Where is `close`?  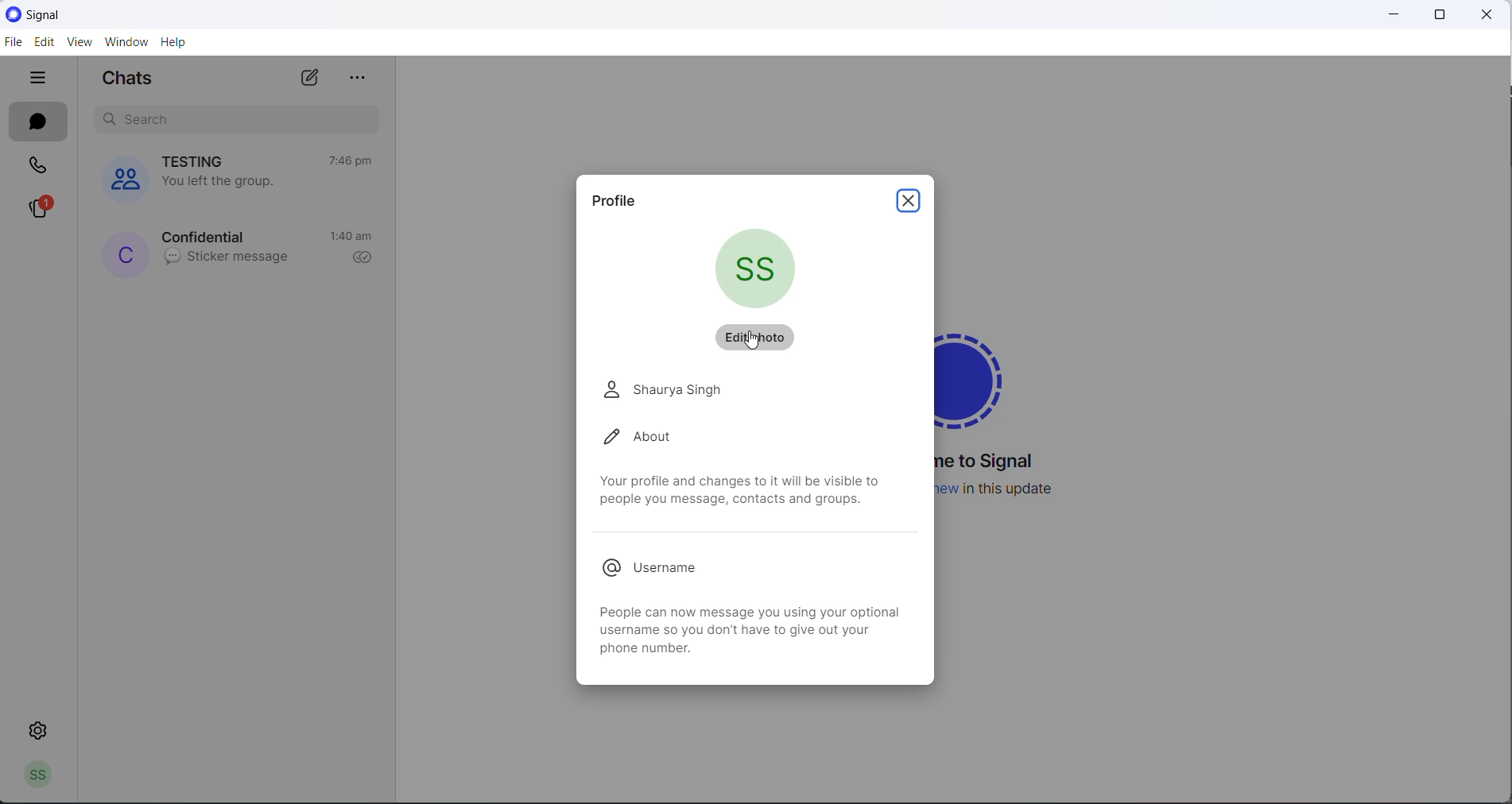 close is located at coordinates (909, 201).